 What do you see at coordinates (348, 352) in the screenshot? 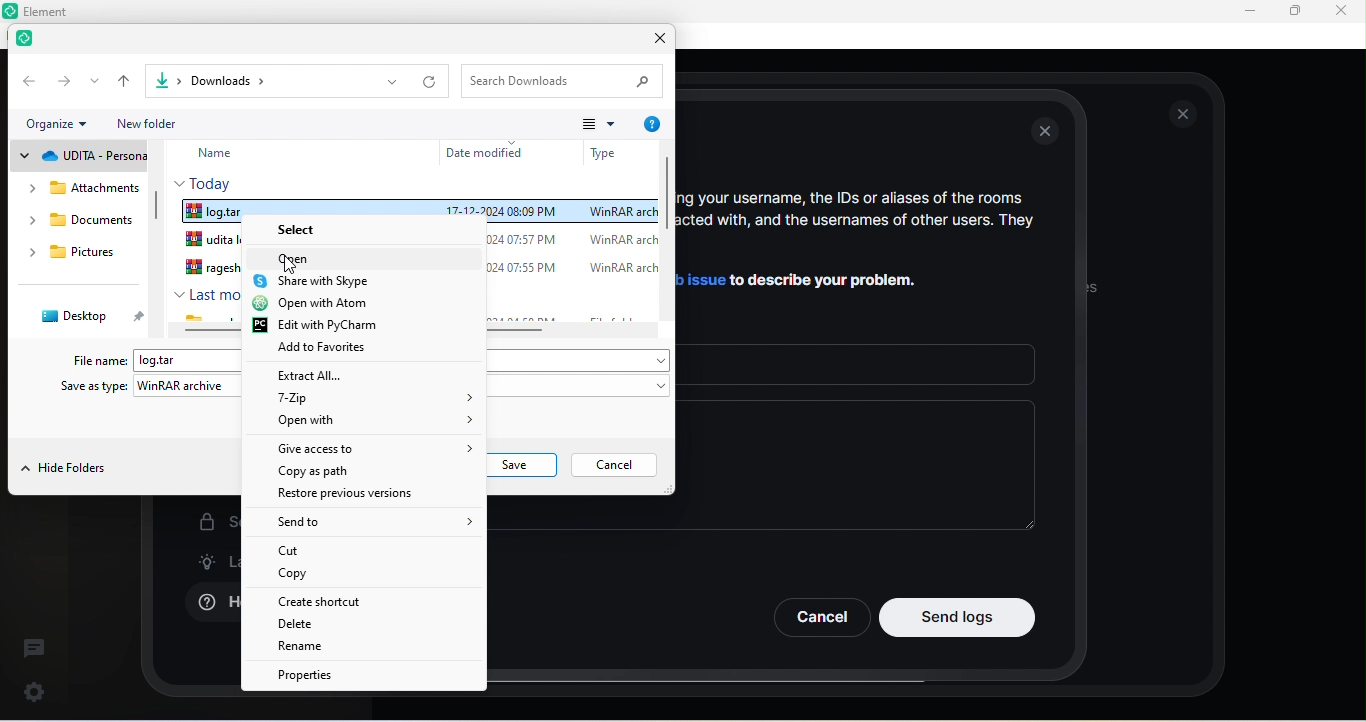
I see `add to favorites` at bounding box center [348, 352].